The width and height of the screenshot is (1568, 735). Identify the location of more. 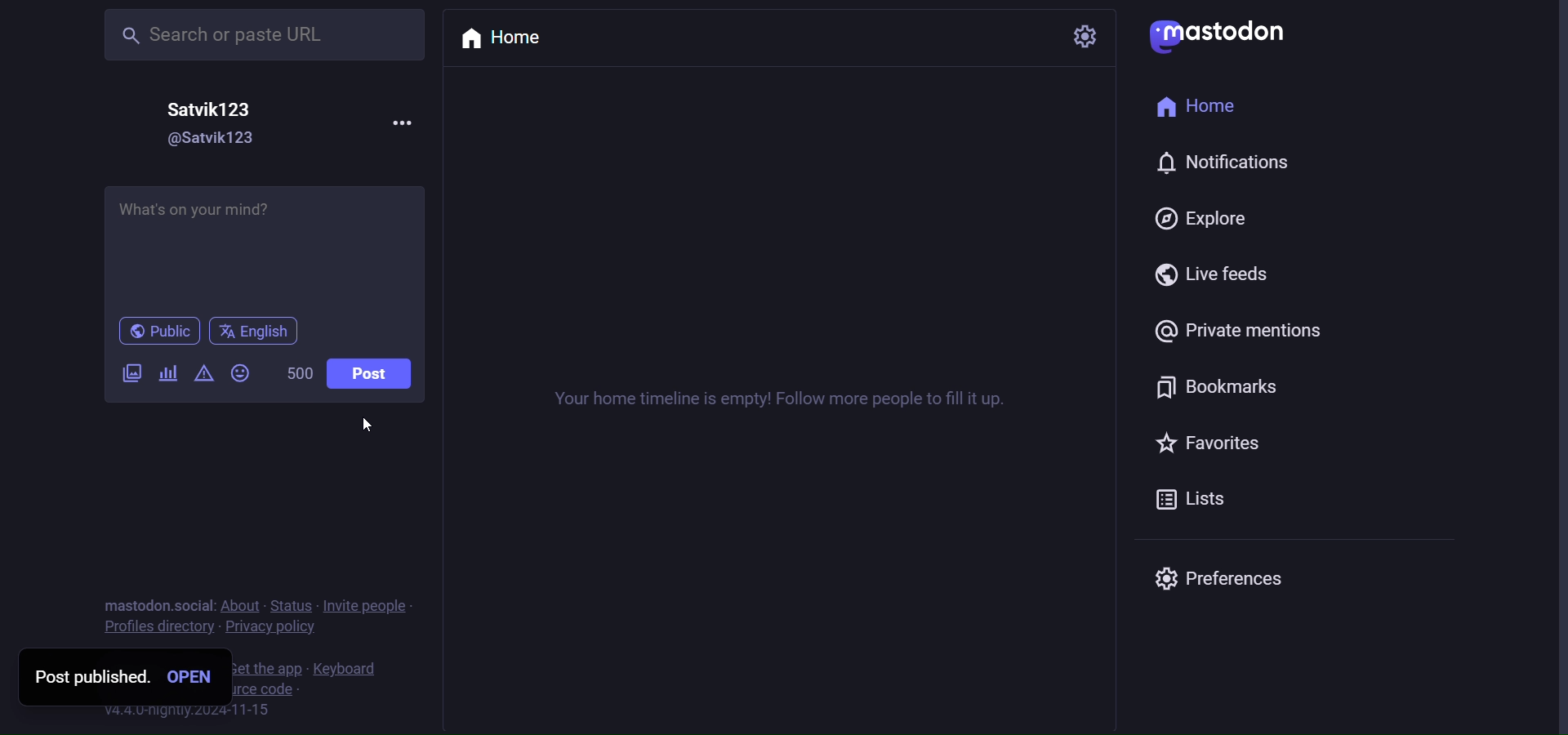
(393, 121).